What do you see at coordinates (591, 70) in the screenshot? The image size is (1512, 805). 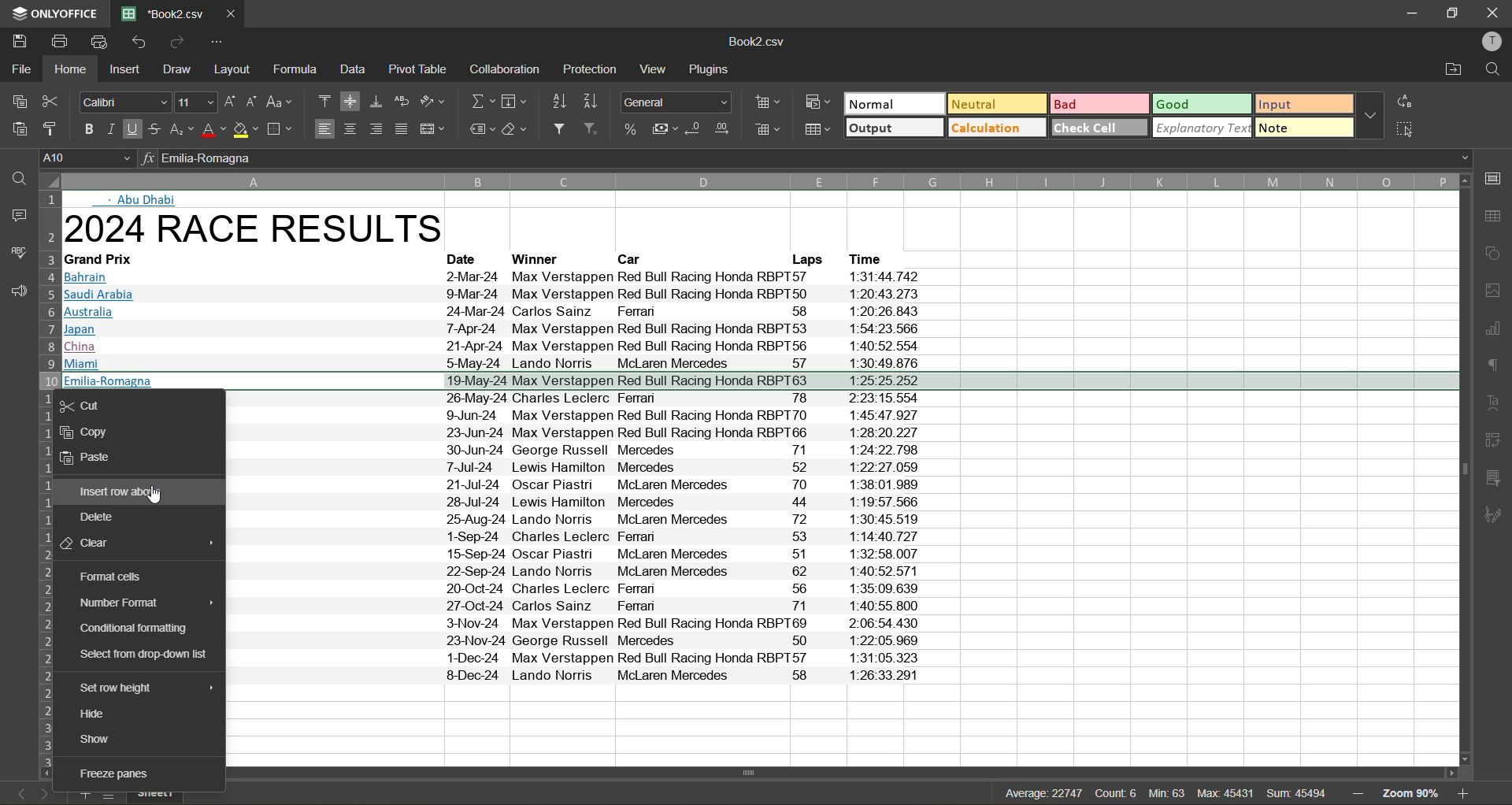 I see `protection` at bounding box center [591, 70].